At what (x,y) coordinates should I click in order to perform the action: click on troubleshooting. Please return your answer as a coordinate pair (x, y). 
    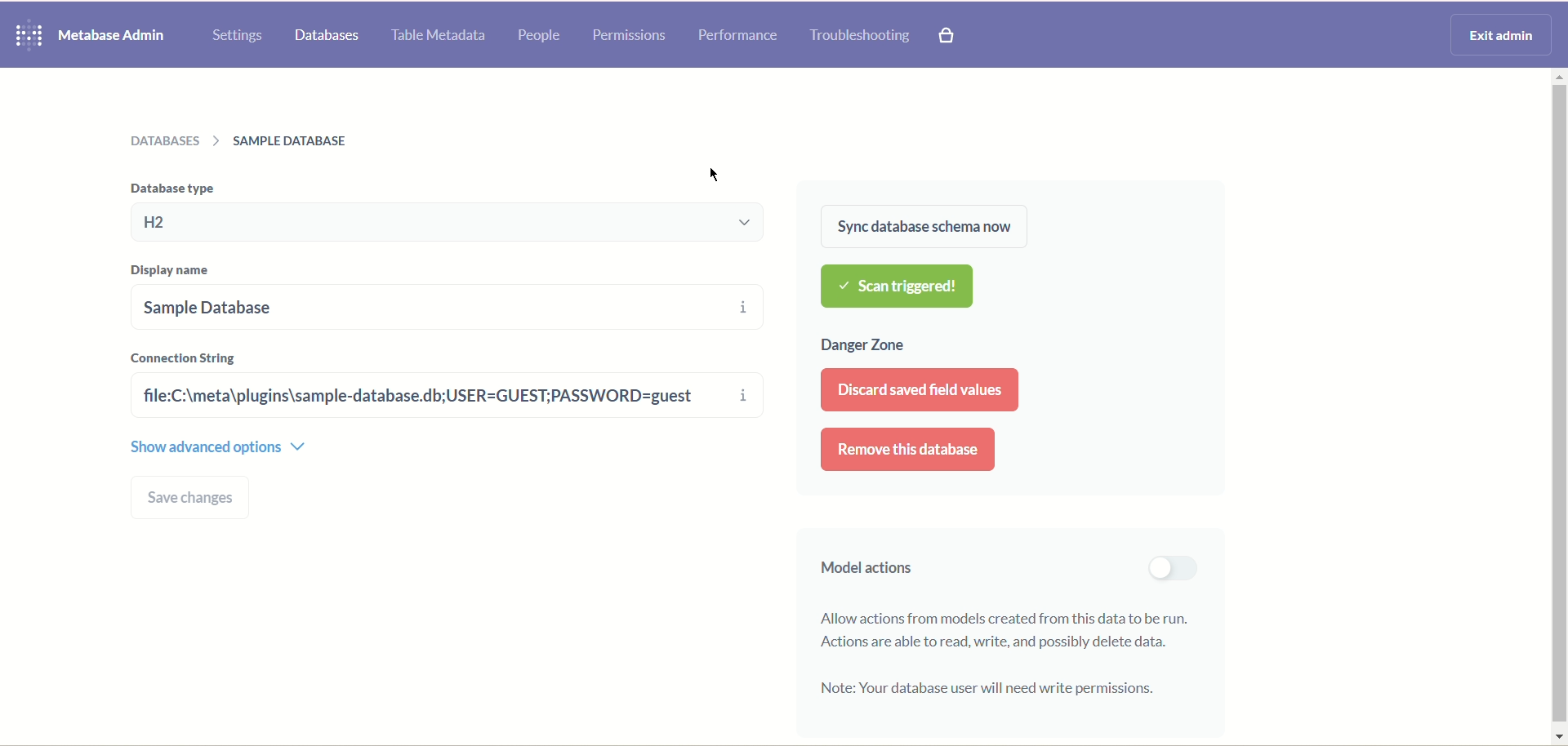
    Looking at the image, I should click on (860, 37).